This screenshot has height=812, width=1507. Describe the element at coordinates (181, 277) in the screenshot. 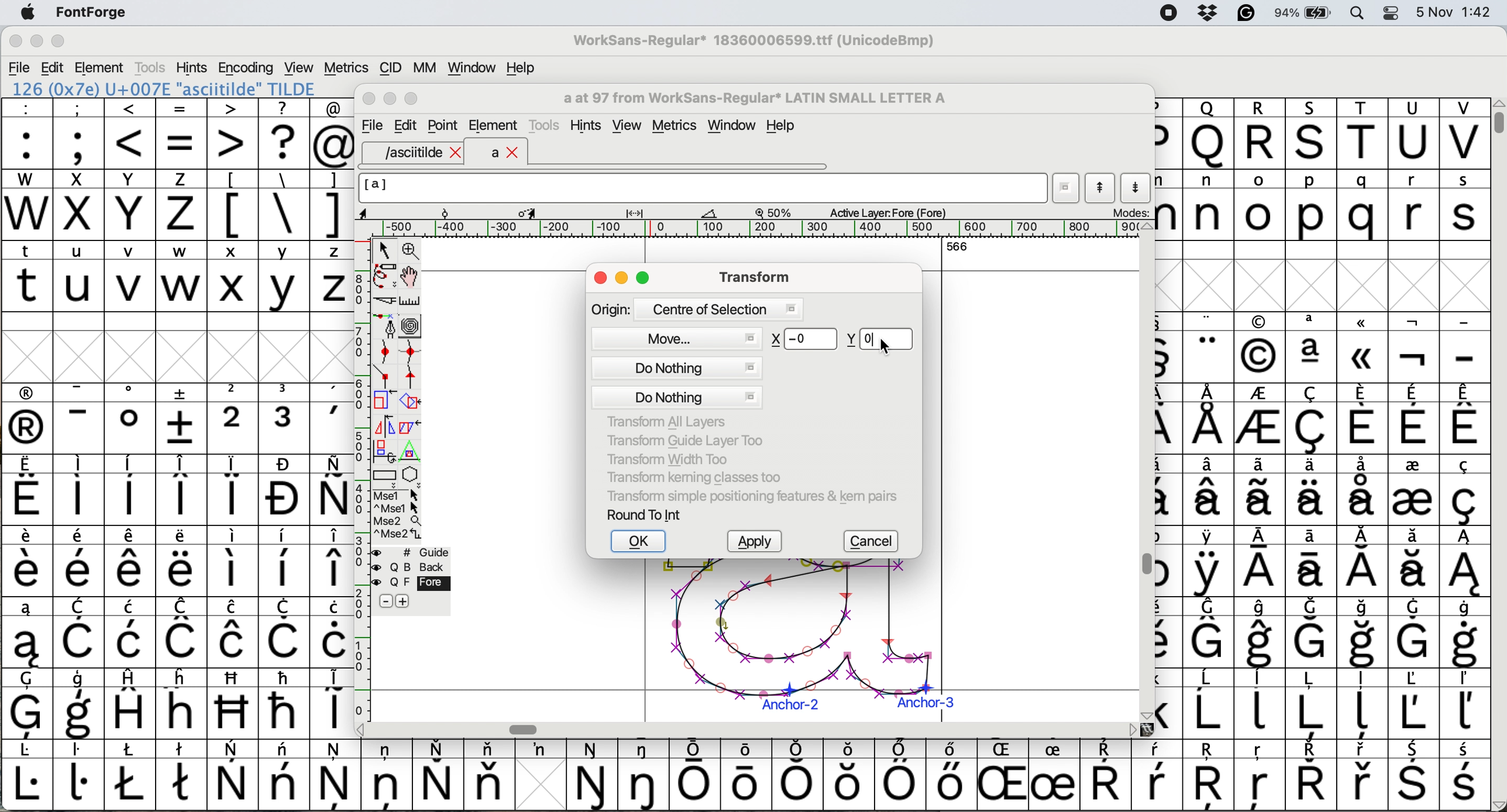

I see `w` at that location.